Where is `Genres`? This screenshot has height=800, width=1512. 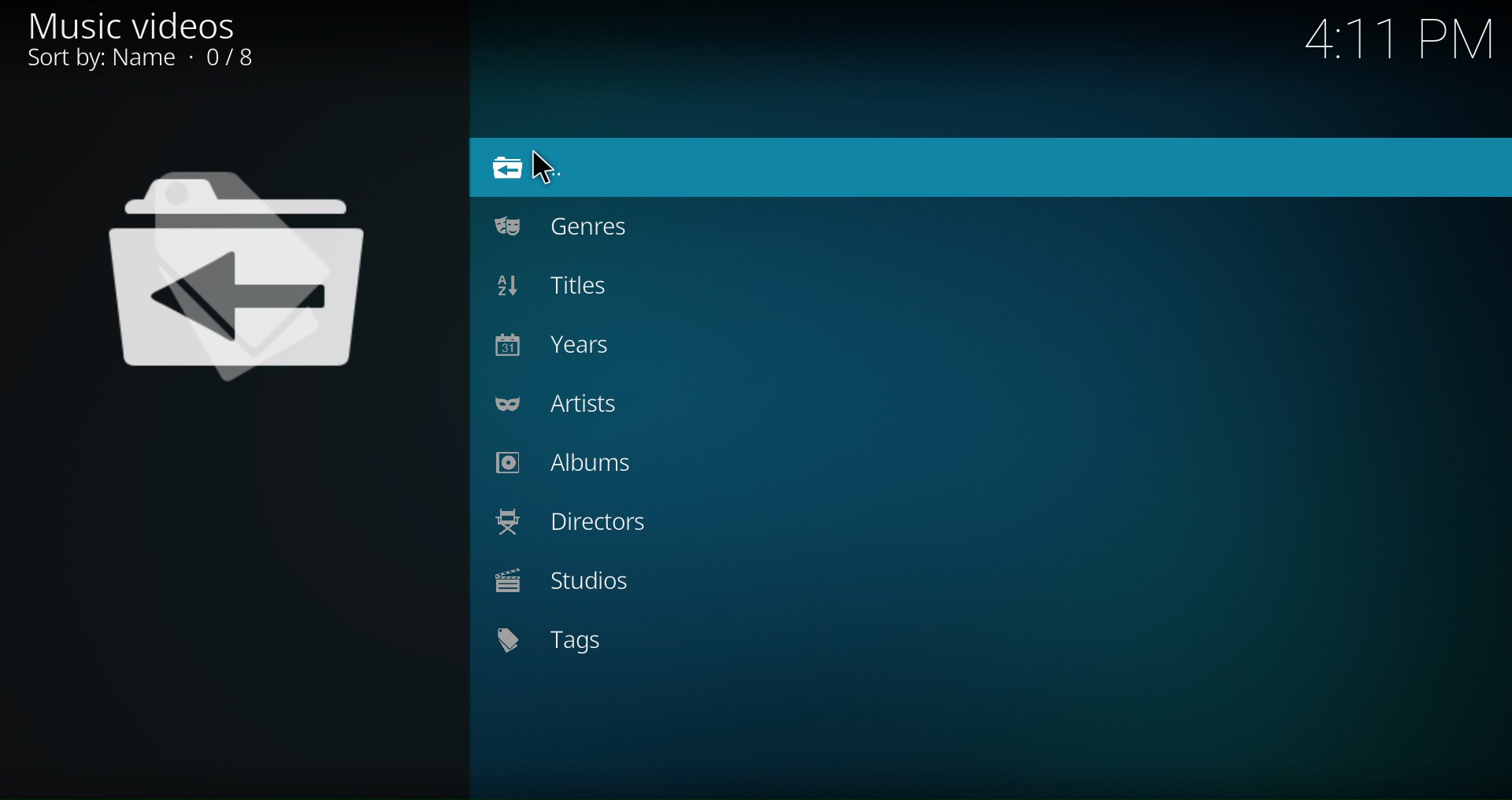 Genres is located at coordinates (599, 228).